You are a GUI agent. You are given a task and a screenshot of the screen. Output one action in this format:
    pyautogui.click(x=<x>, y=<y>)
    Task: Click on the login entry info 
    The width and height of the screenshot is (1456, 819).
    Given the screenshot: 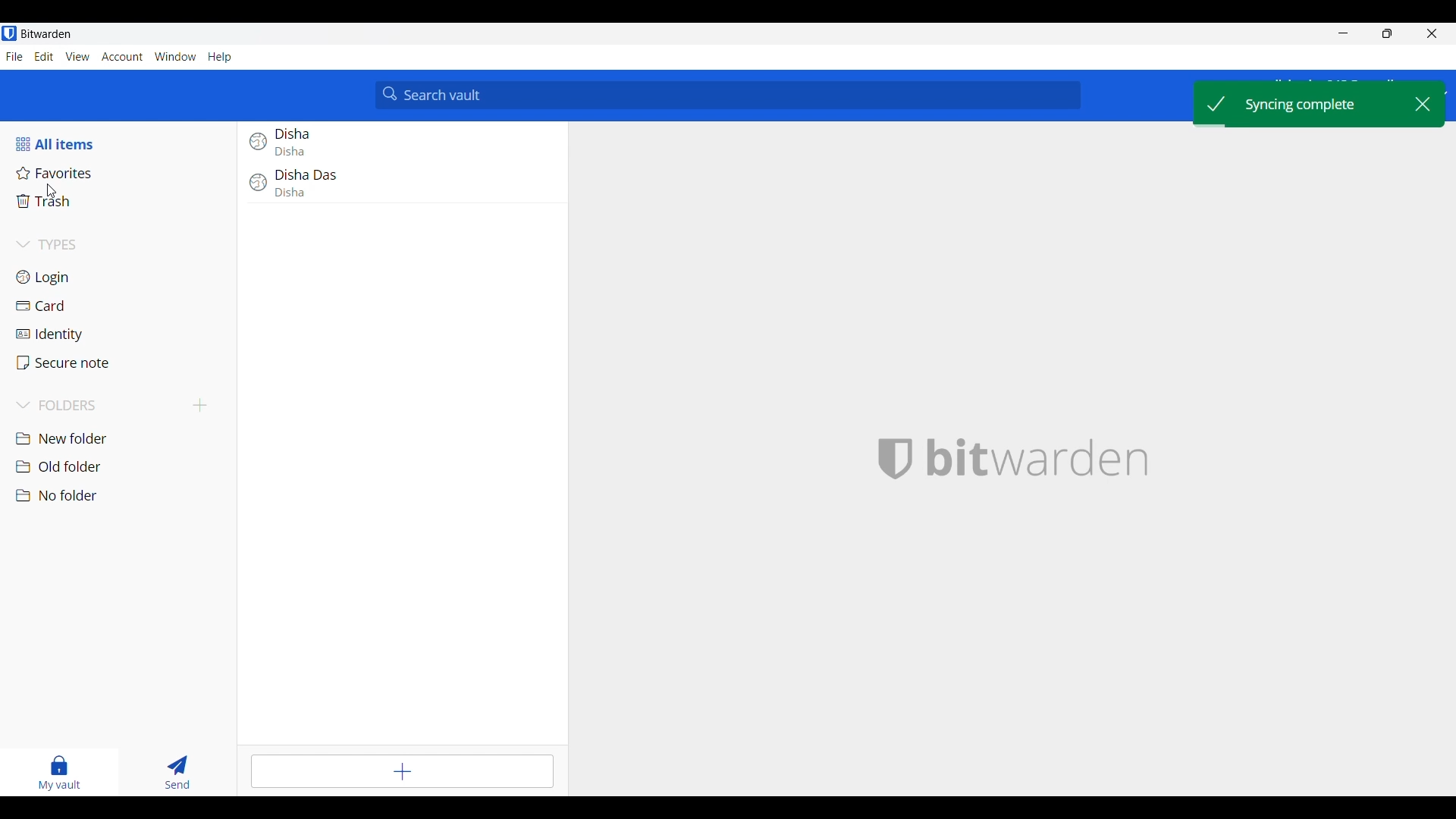 What is the action you would take?
    pyautogui.click(x=397, y=186)
    